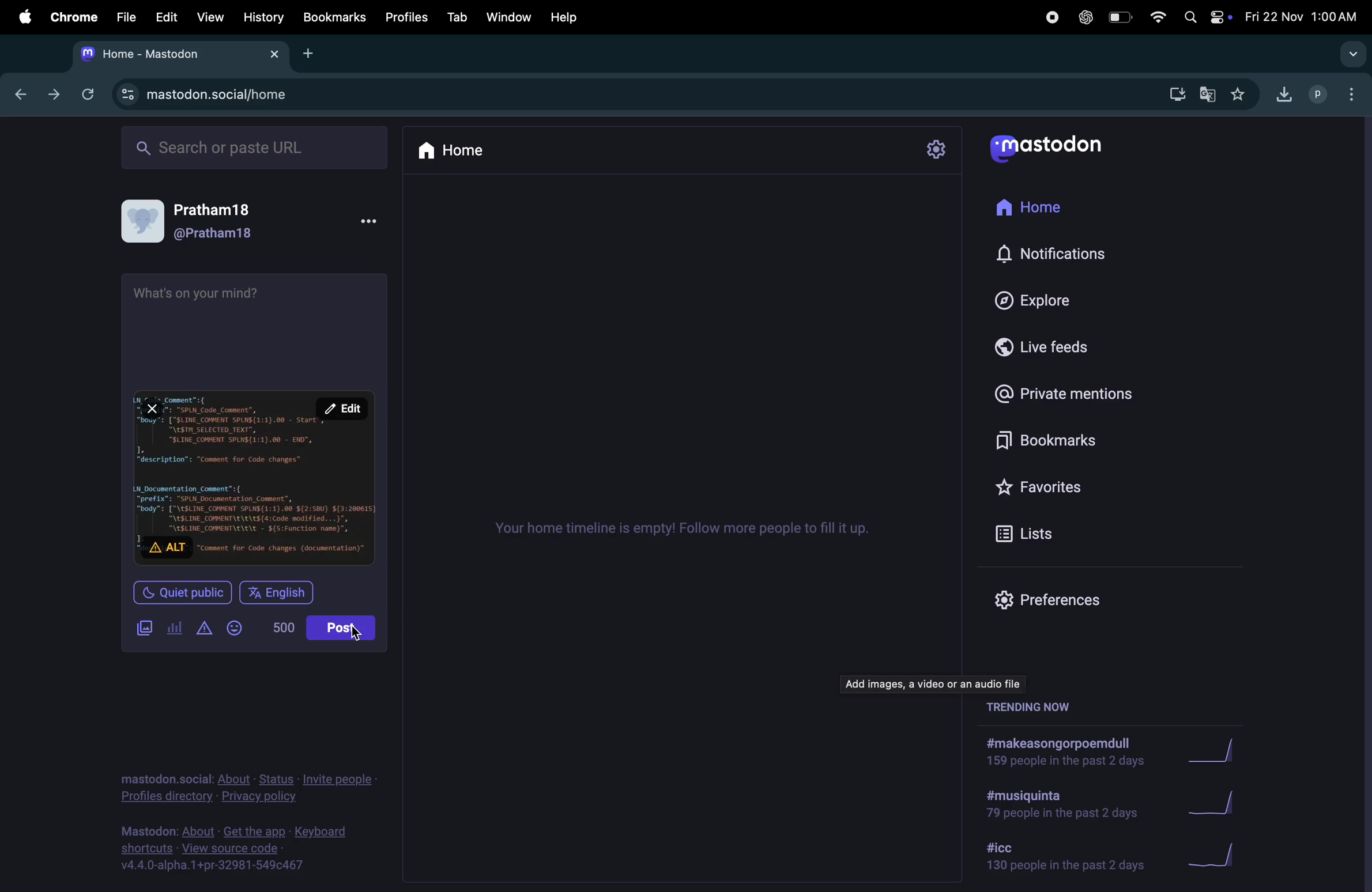 The width and height of the screenshot is (1372, 892). Describe the element at coordinates (142, 221) in the screenshot. I see `display picture` at that location.